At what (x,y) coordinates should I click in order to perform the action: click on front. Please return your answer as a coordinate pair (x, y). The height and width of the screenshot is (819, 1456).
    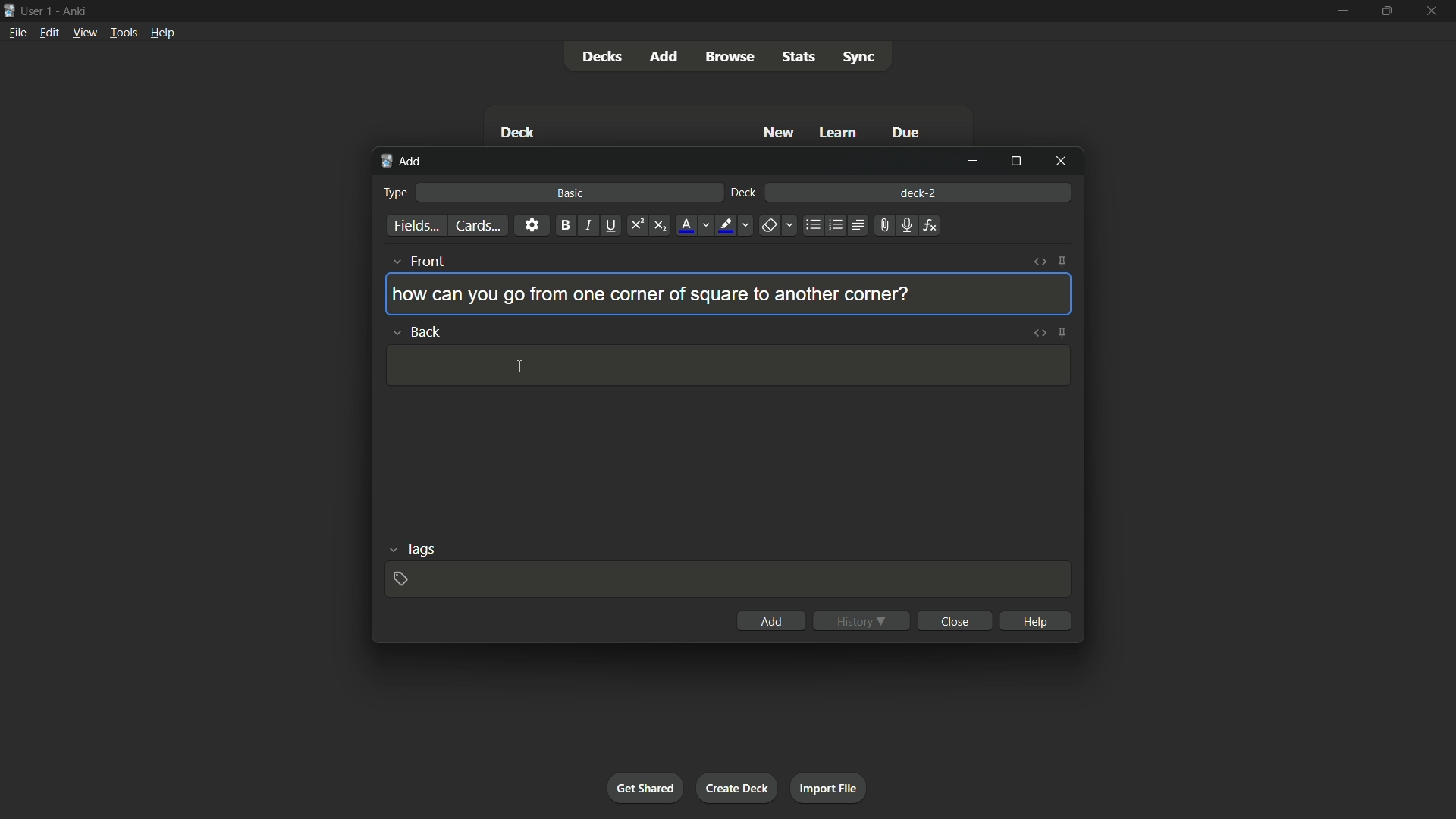
    Looking at the image, I should click on (417, 261).